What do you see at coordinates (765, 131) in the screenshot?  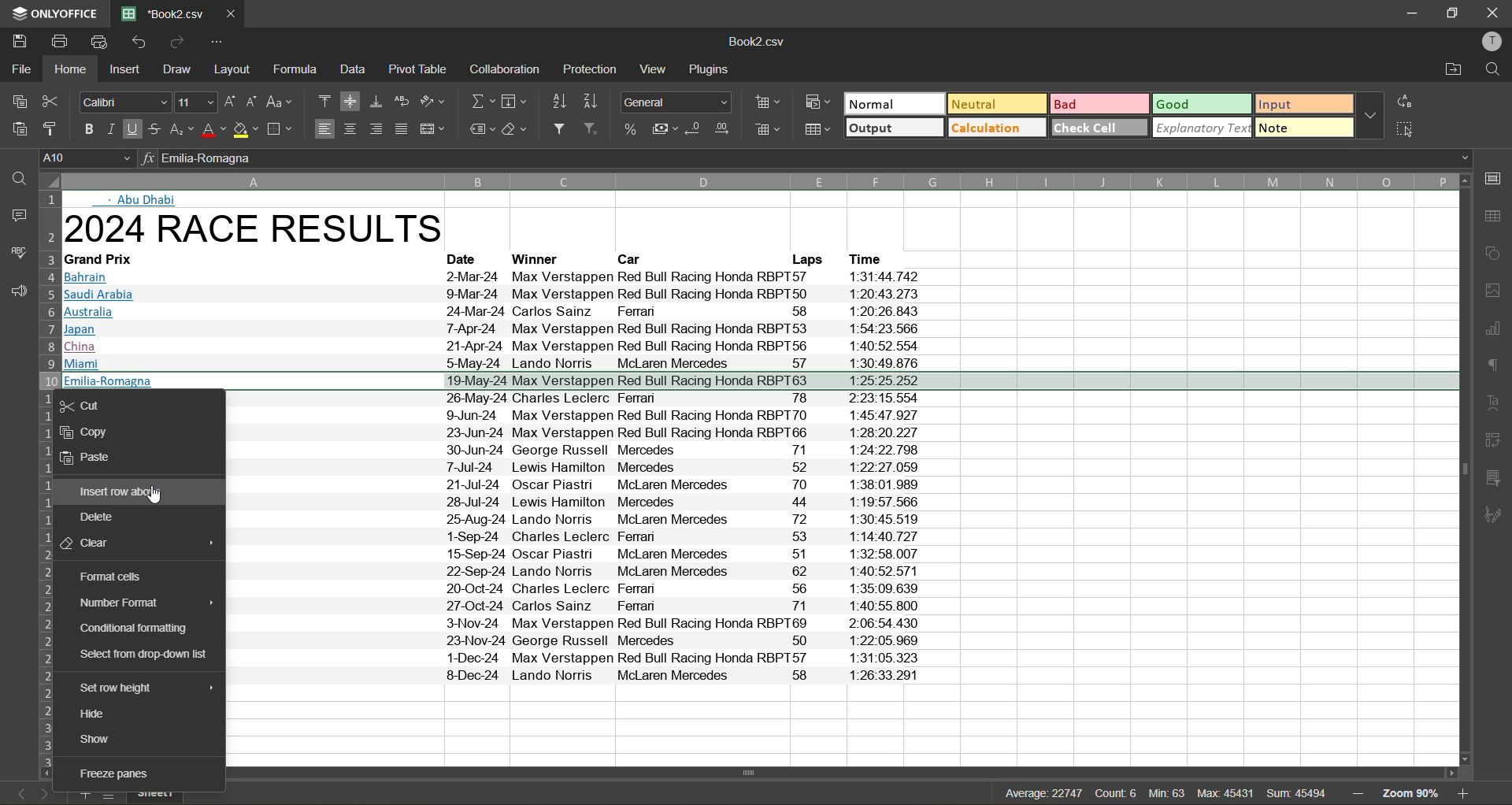 I see `delete cells` at bounding box center [765, 131].